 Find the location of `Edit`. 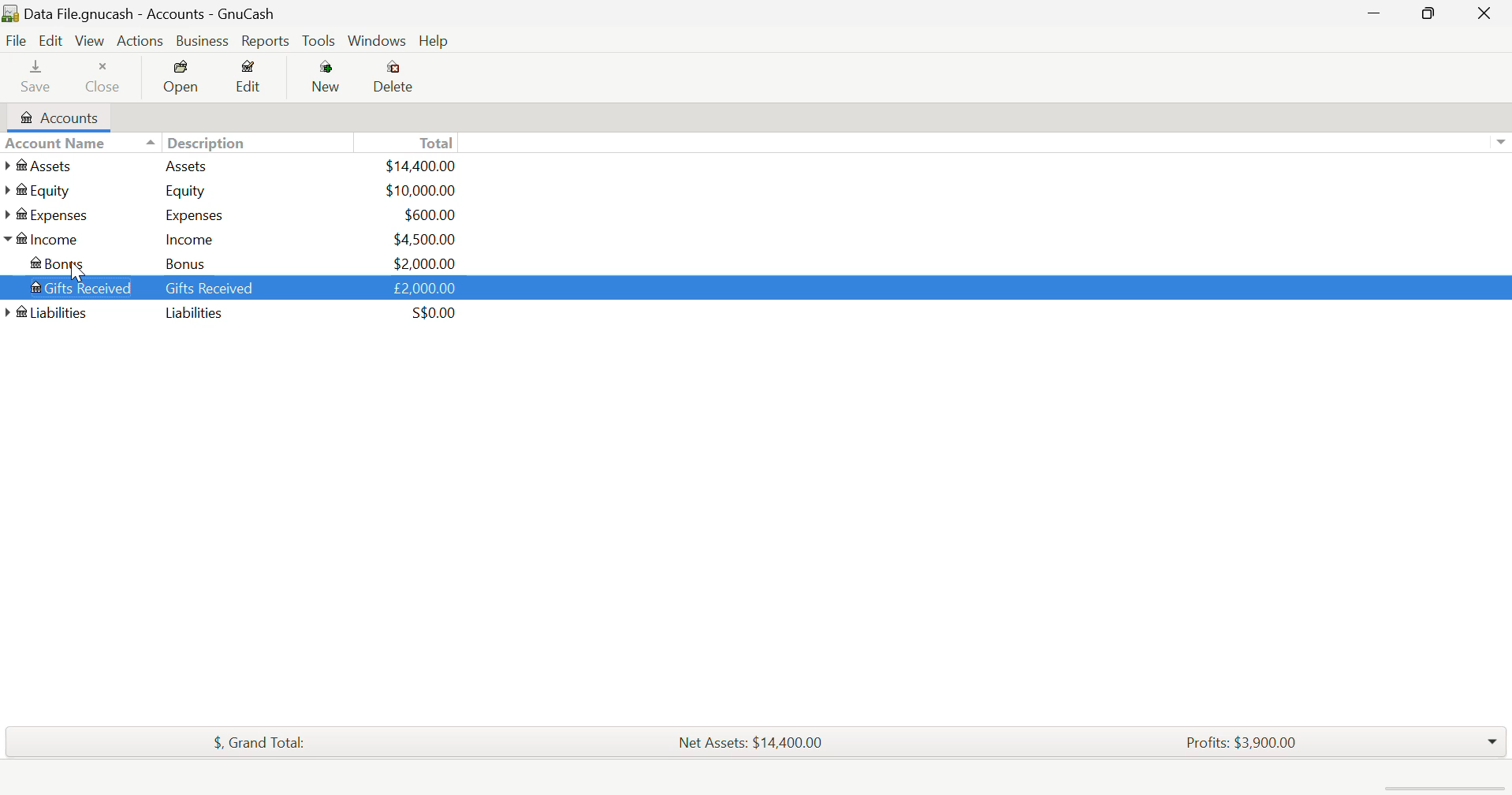

Edit is located at coordinates (251, 78).